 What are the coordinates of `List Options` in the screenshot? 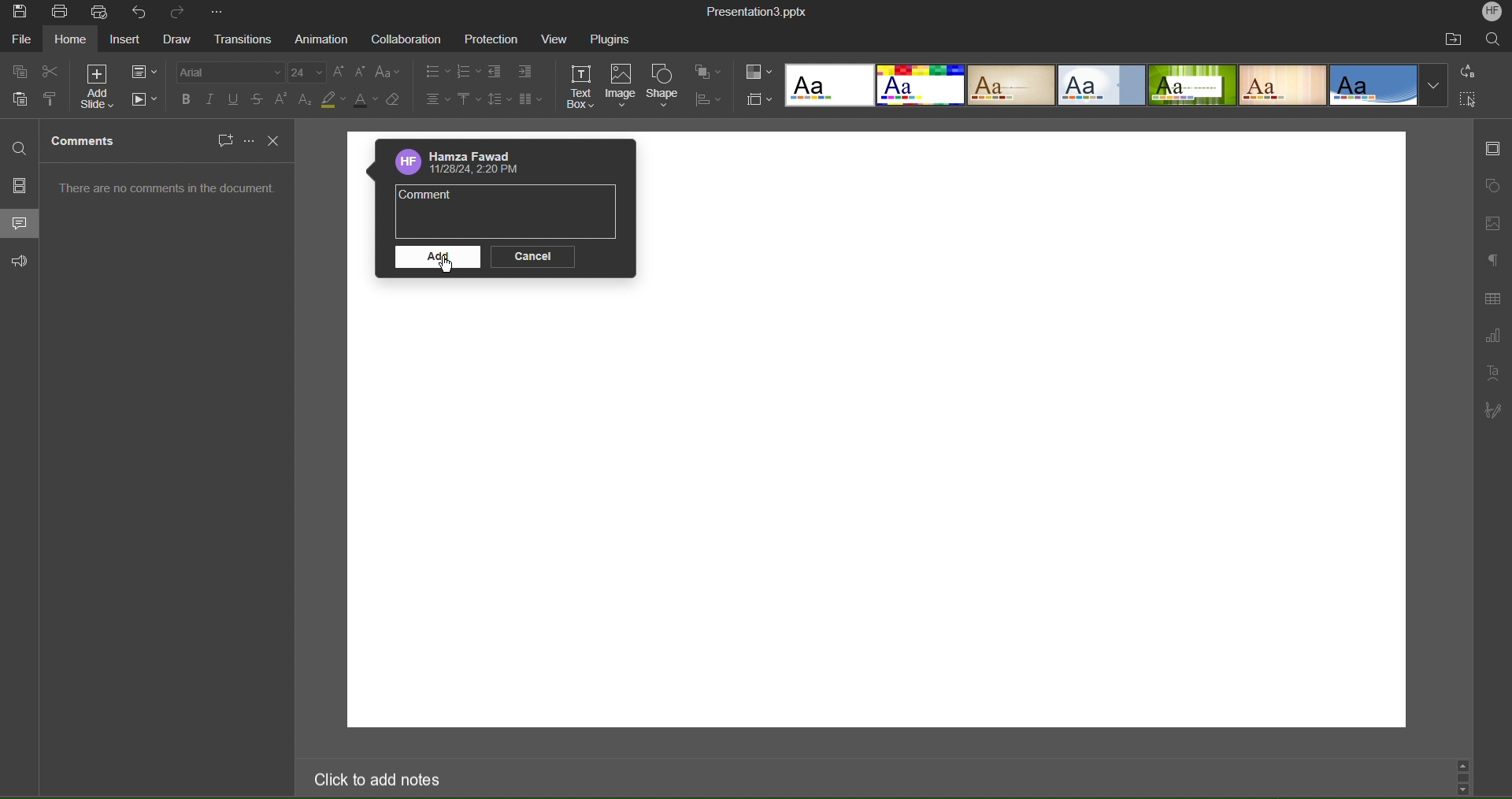 It's located at (470, 71).